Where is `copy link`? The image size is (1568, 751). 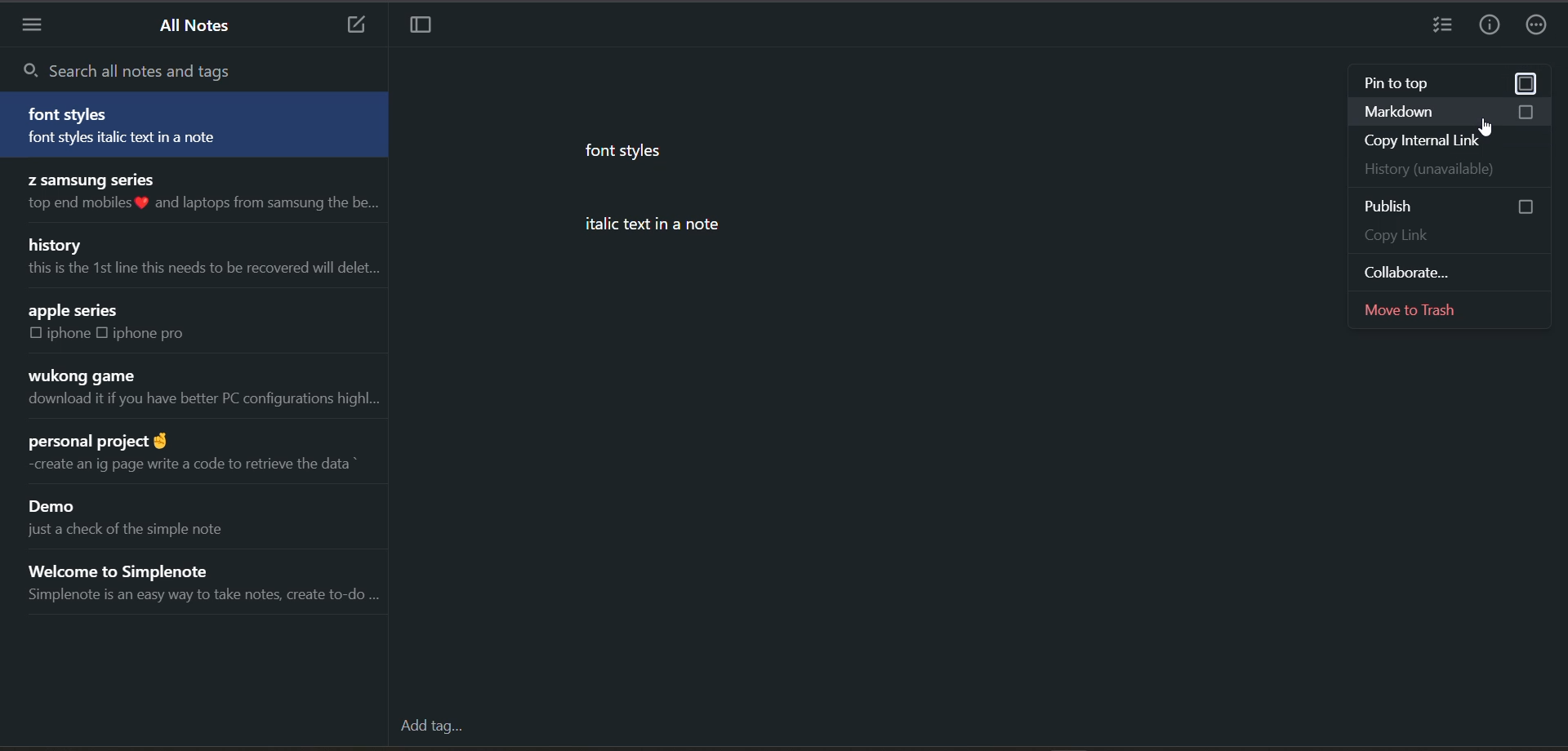 copy link is located at coordinates (1446, 233).